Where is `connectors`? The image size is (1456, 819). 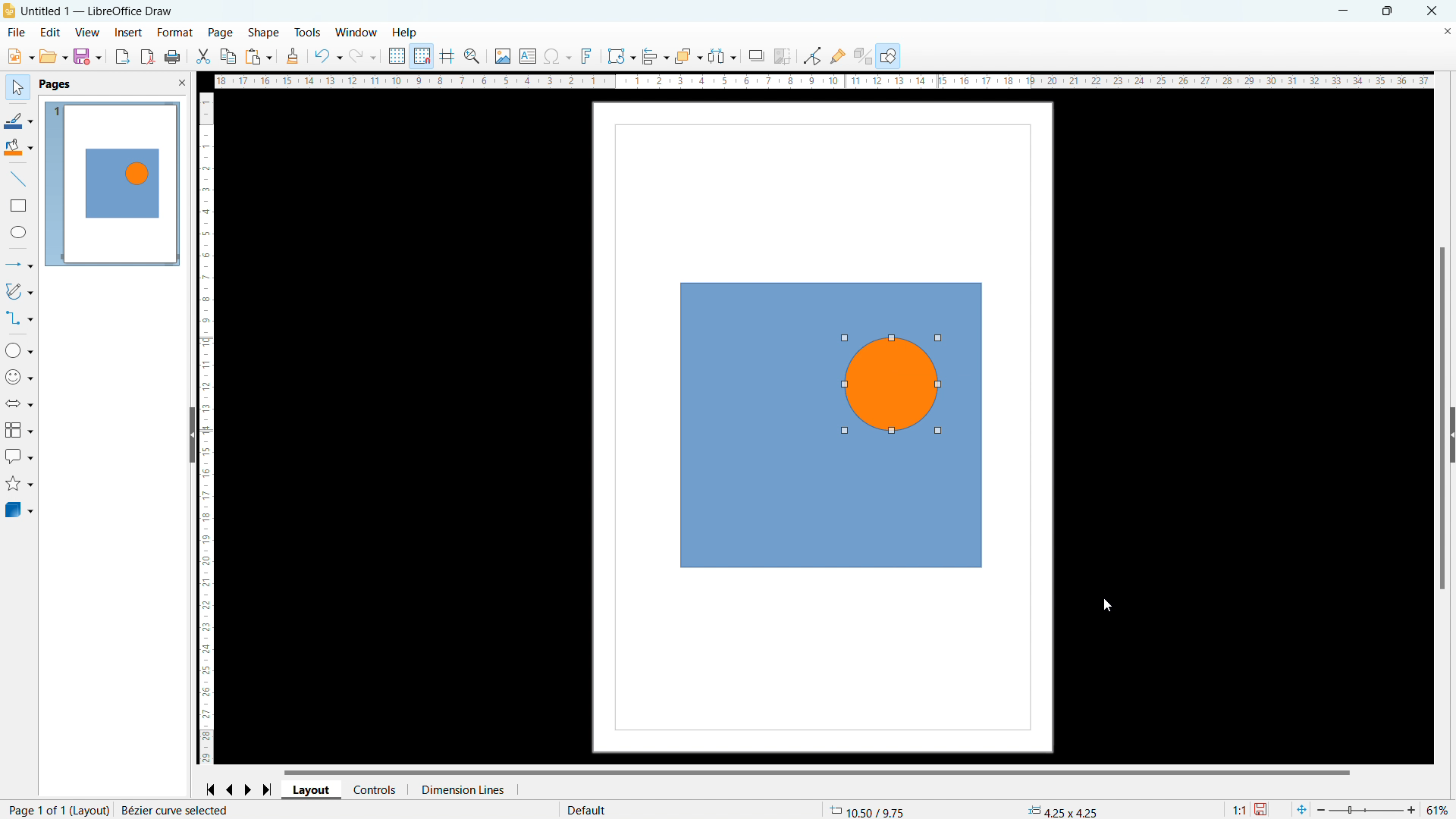
connectors is located at coordinates (19, 318).